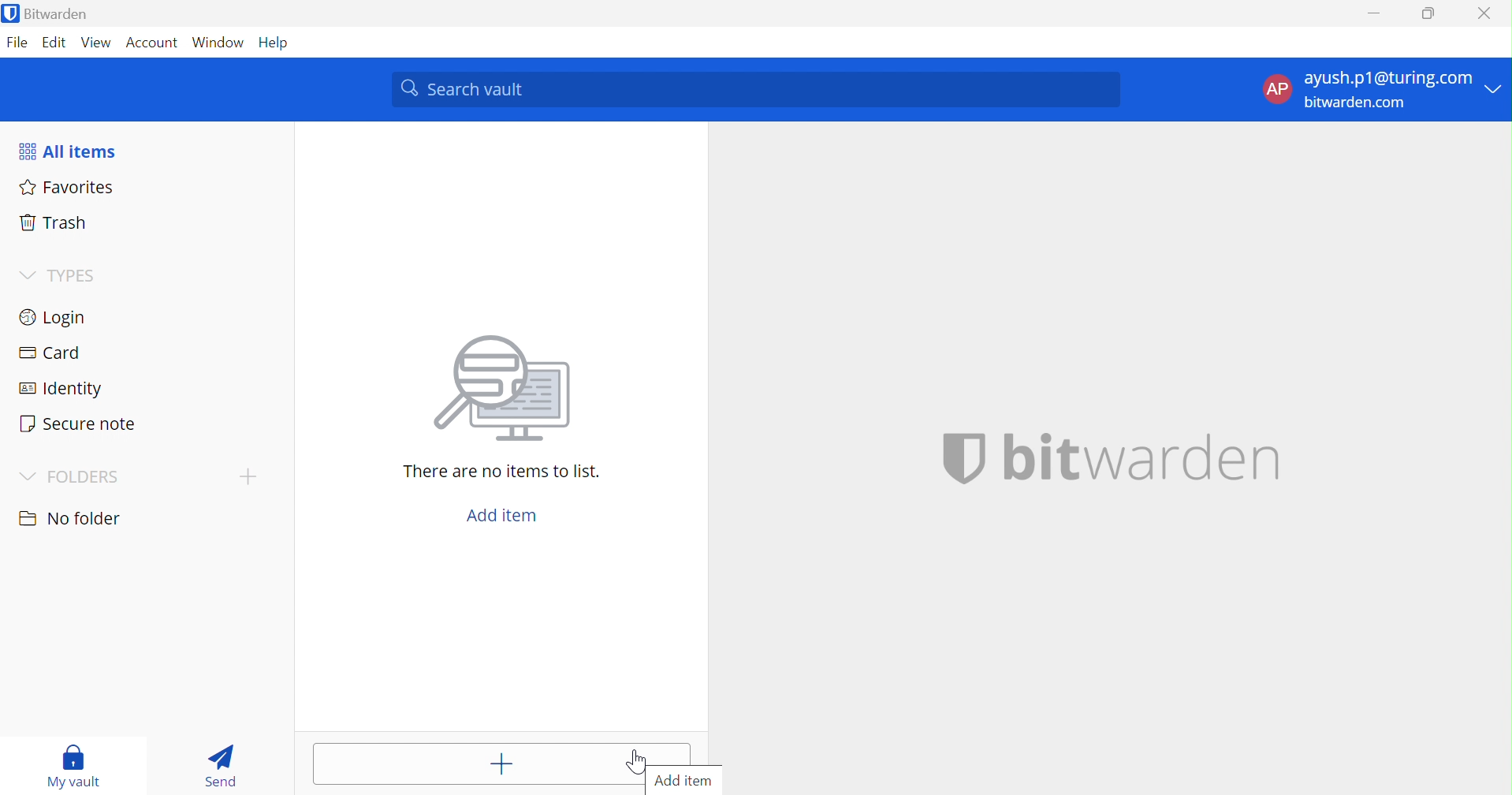 The width and height of the screenshot is (1512, 795). I want to click on Minimize, so click(1371, 13).